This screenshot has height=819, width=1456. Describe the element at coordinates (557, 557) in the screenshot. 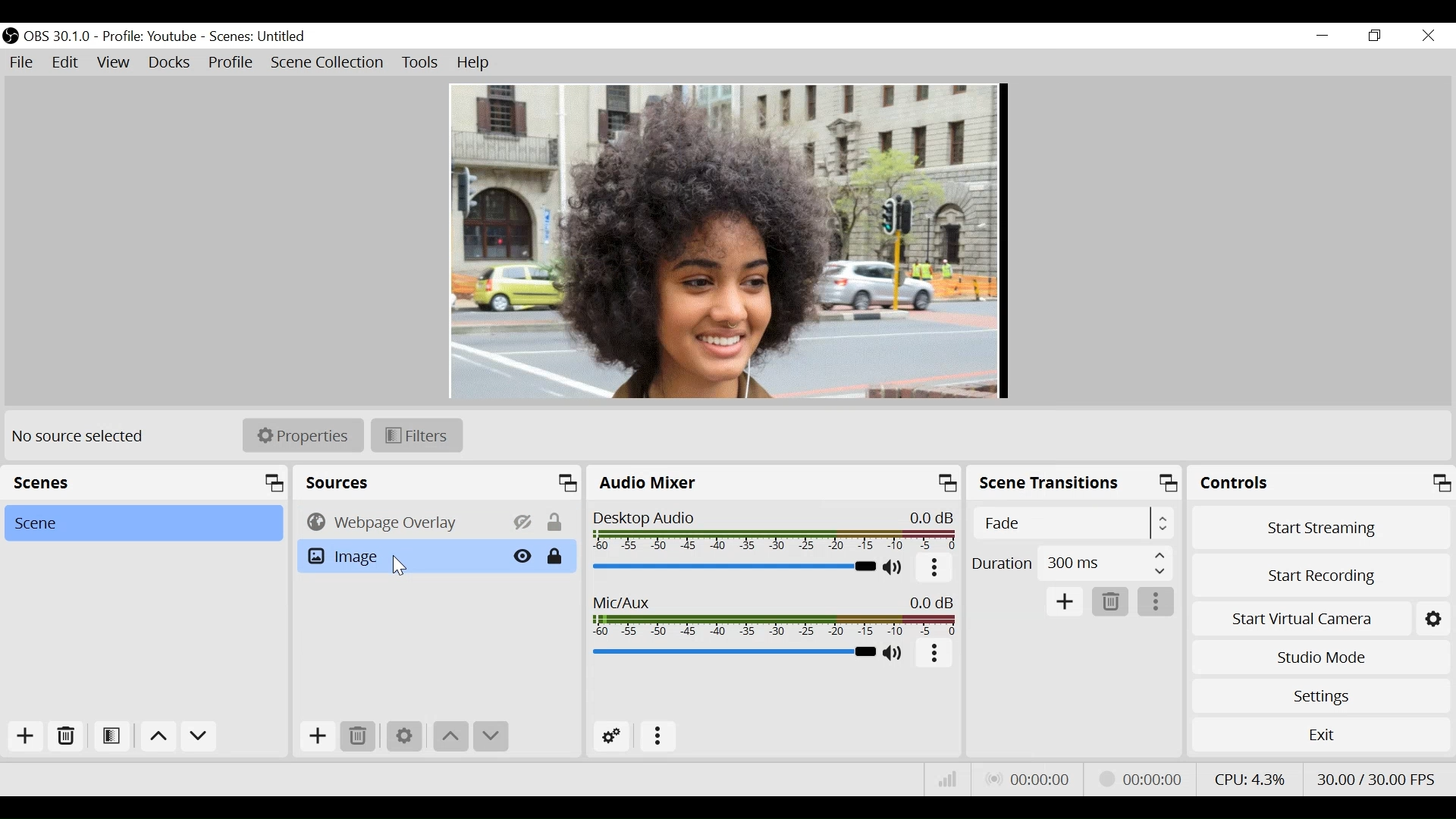

I see `(un)lock` at that location.